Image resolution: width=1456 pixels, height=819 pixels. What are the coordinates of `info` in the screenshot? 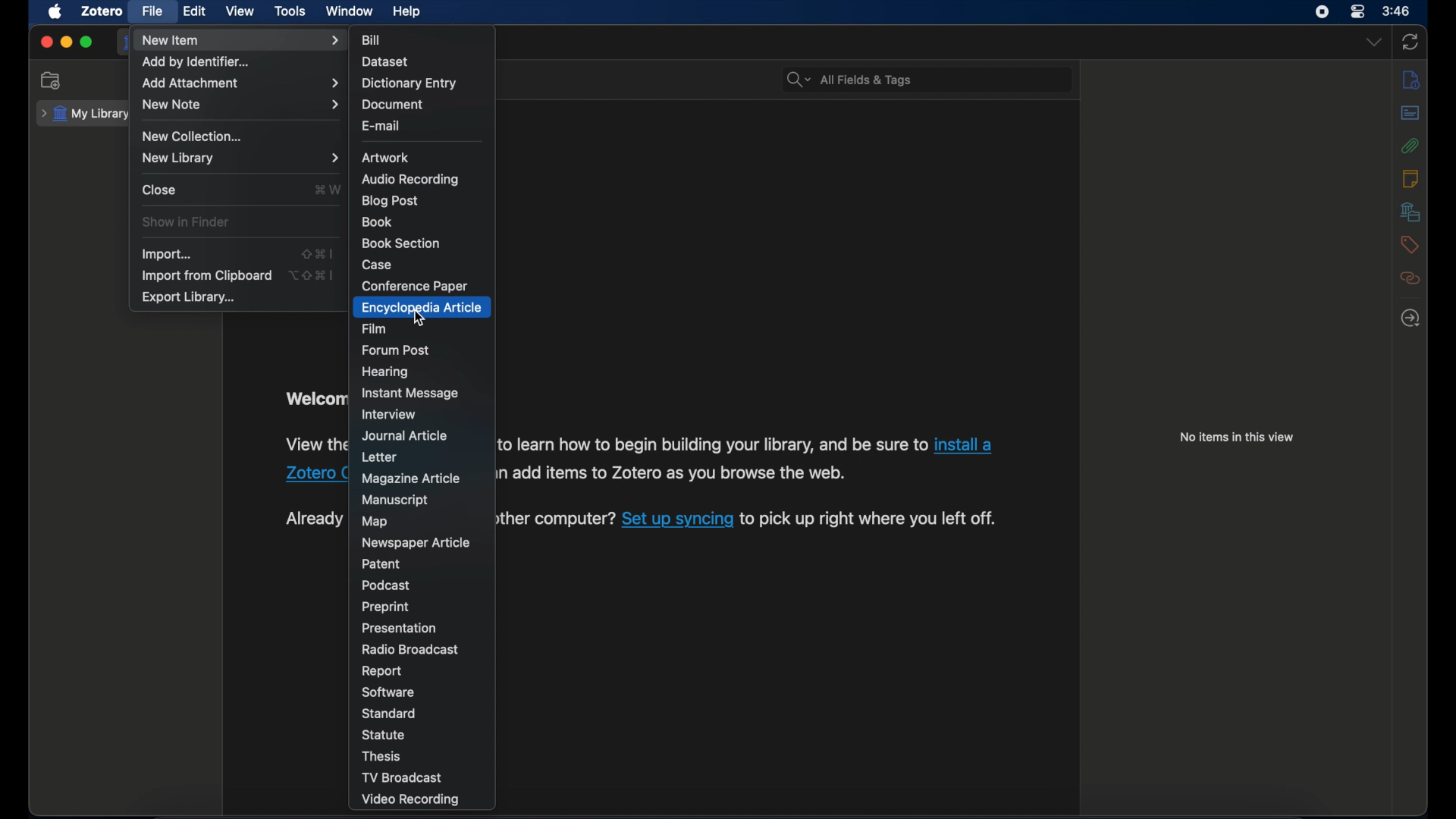 It's located at (1410, 79).